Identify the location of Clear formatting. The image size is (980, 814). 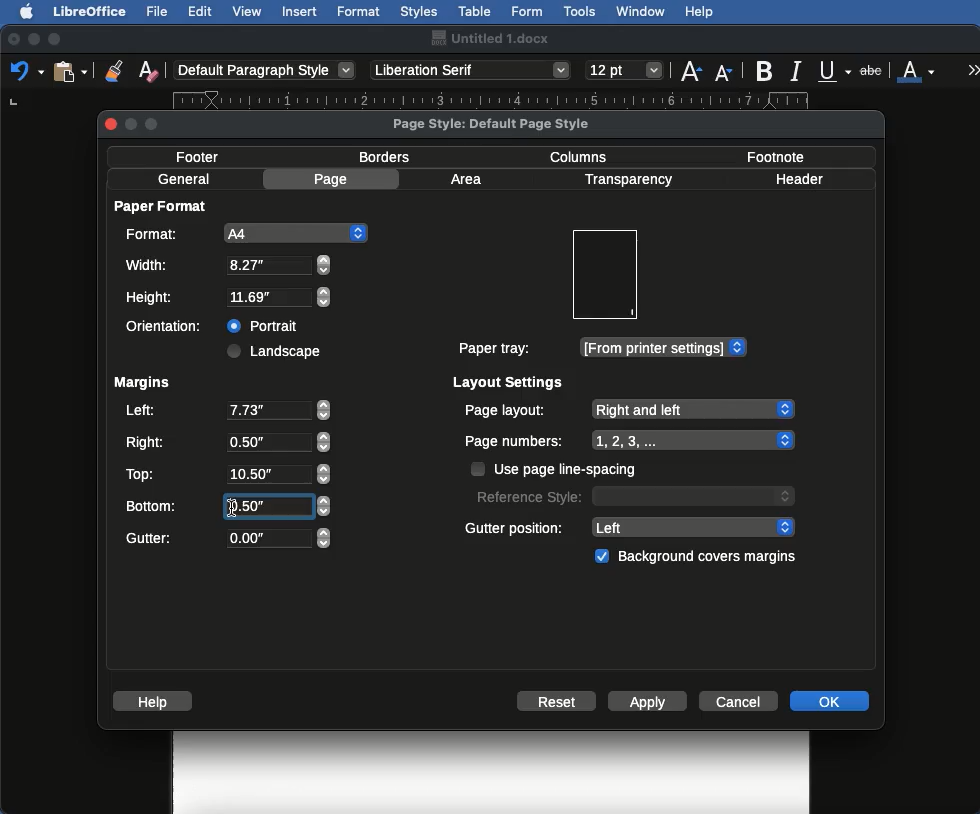
(148, 69).